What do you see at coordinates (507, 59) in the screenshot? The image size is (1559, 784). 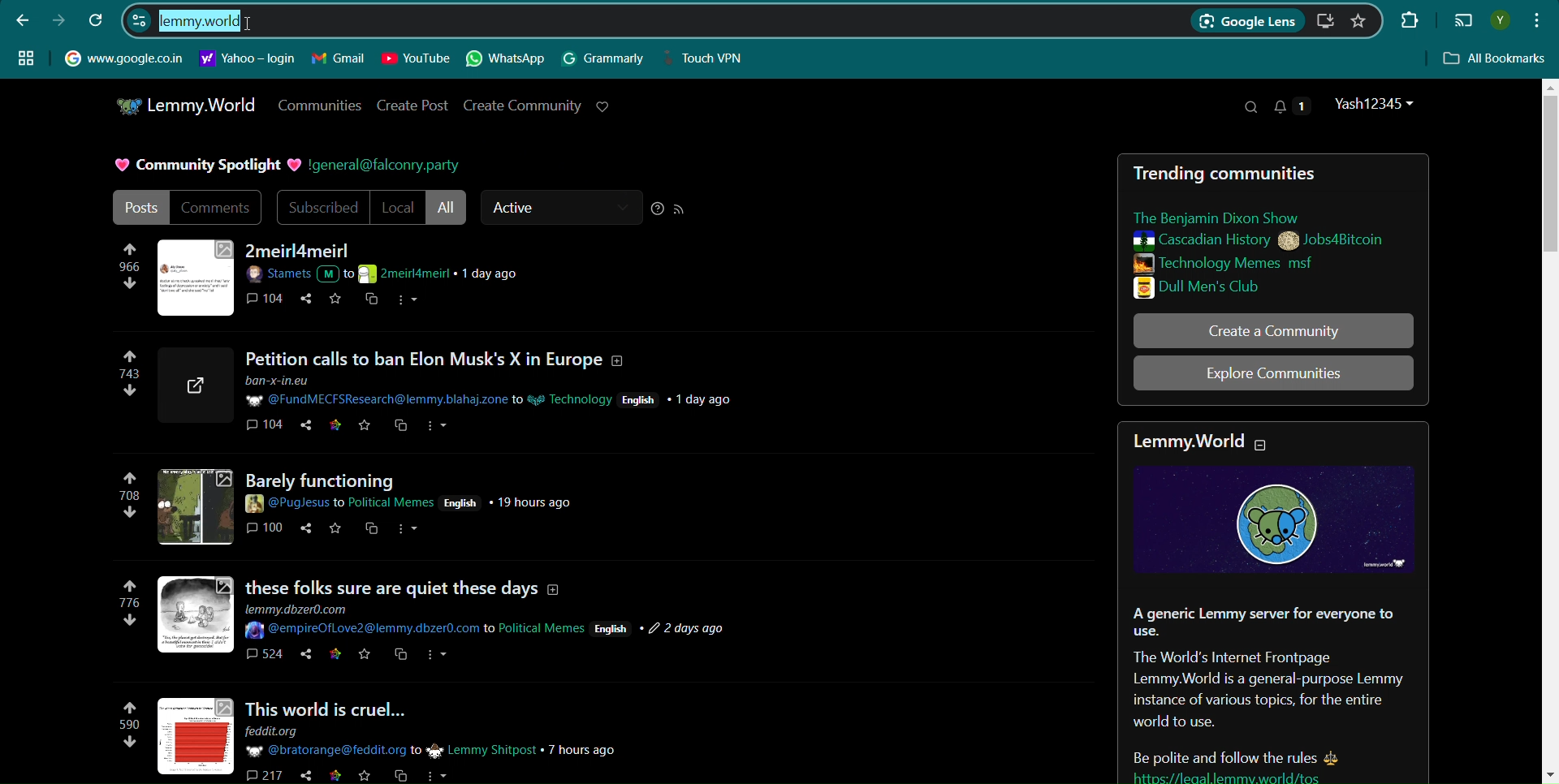 I see `Whatsapp` at bounding box center [507, 59].